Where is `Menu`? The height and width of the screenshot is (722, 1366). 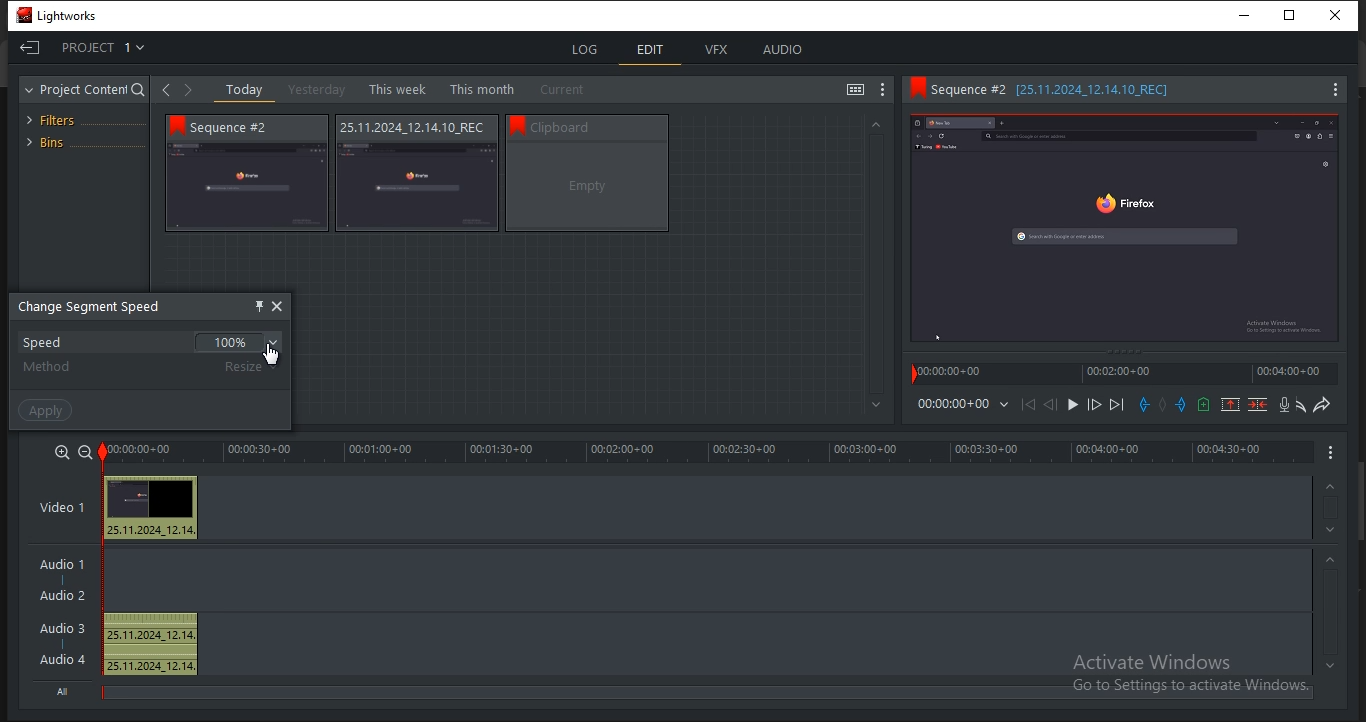
Menu is located at coordinates (1332, 453).